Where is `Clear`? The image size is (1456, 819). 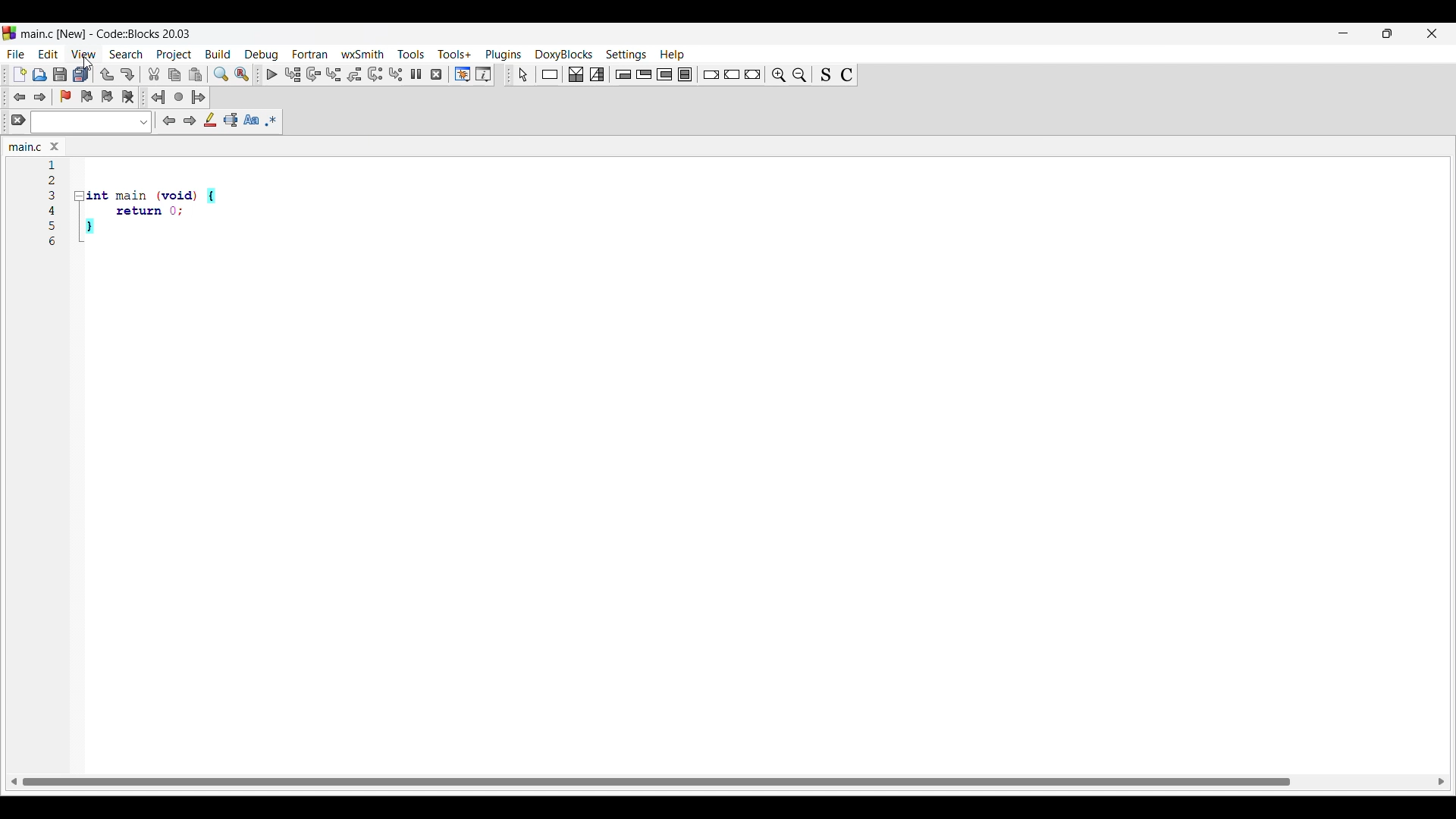 Clear is located at coordinates (18, 120).